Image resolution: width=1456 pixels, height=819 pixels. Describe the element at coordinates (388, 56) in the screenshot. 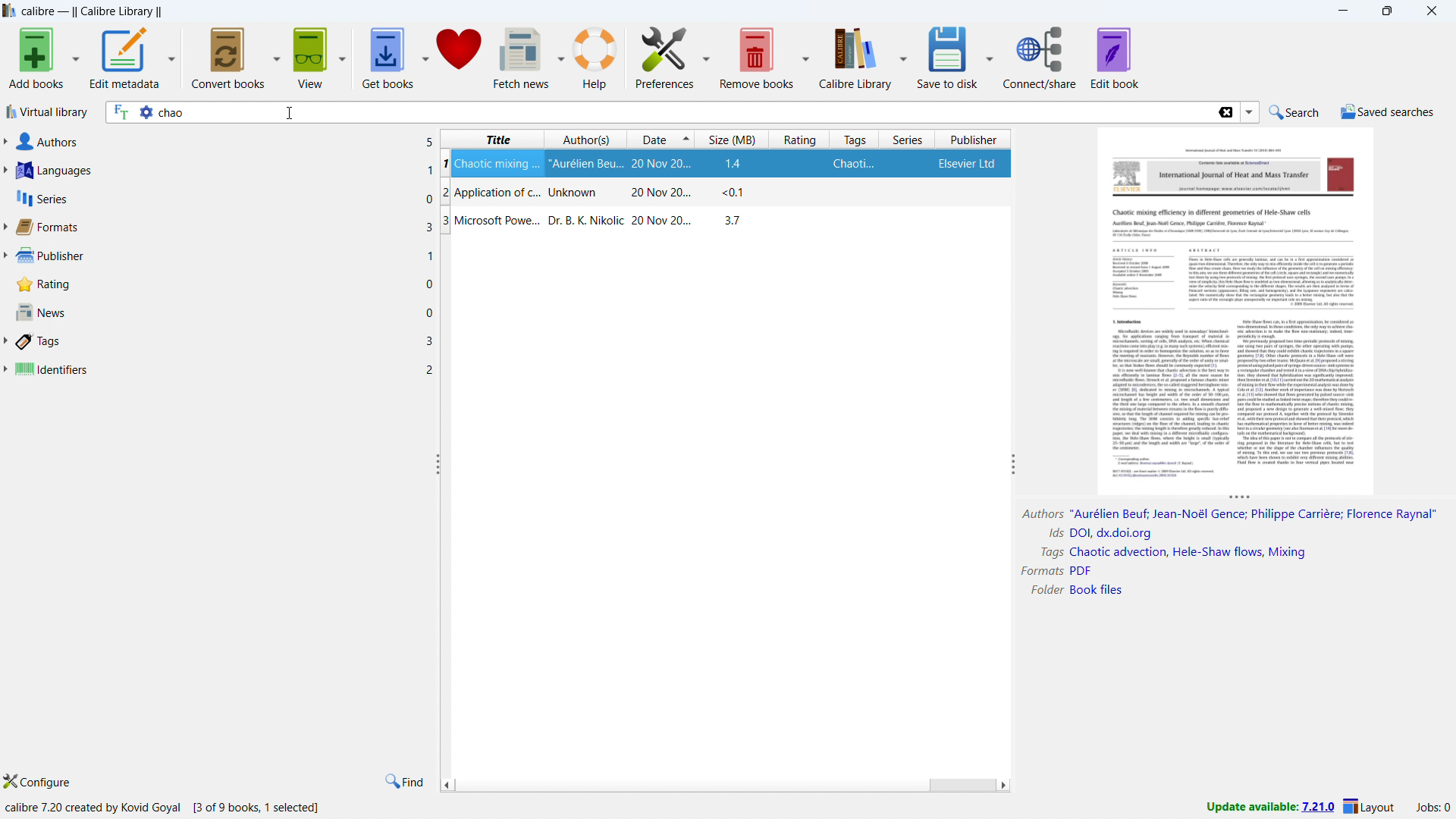

I see `get books` at that location.